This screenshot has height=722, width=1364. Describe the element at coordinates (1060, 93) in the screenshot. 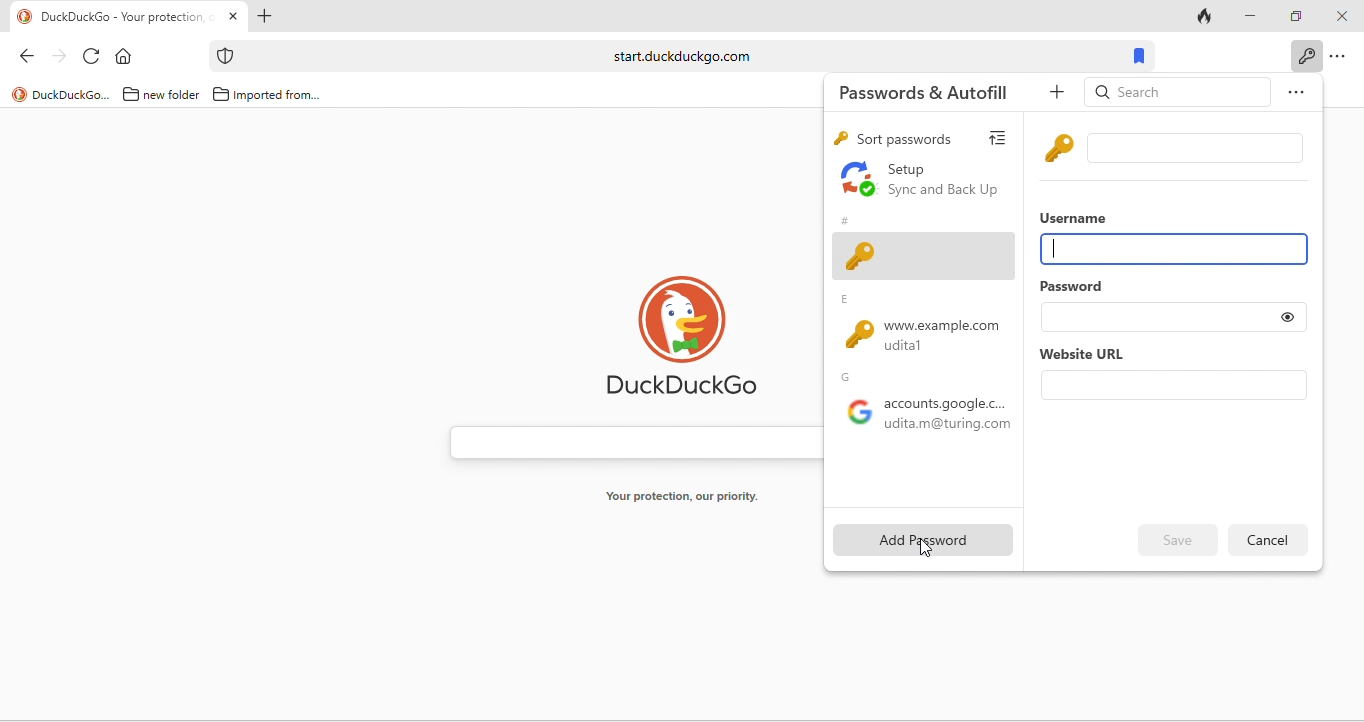

I see `add` at that location.